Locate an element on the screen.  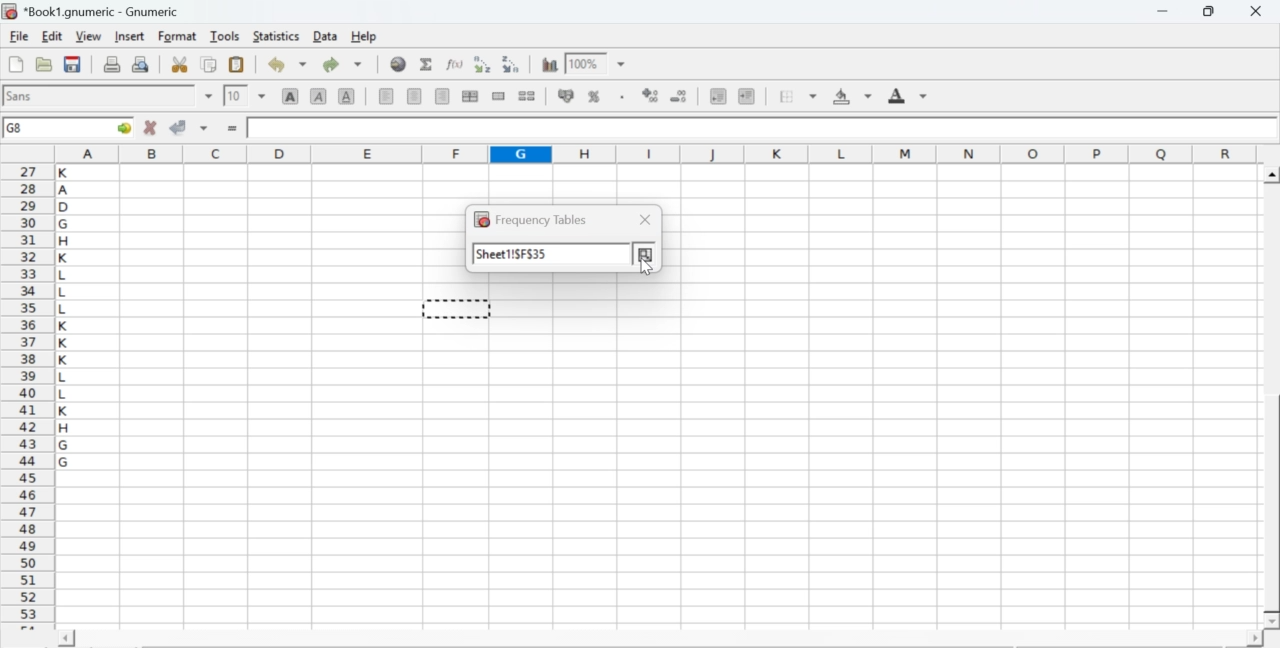
cursor is located at coordinates (645, 265).